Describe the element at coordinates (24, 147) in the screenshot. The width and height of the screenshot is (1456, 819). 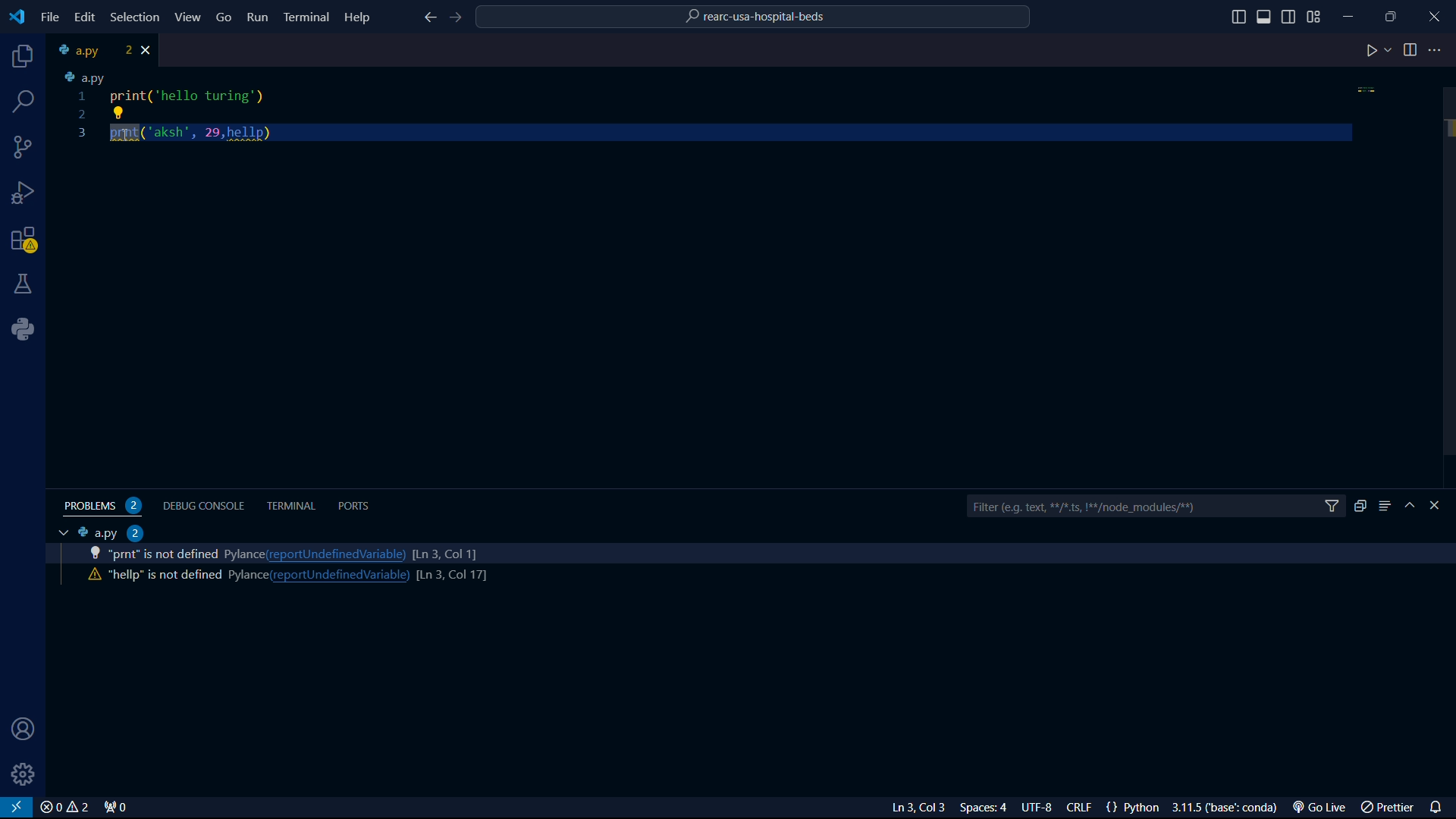
I see `connections` at that location.